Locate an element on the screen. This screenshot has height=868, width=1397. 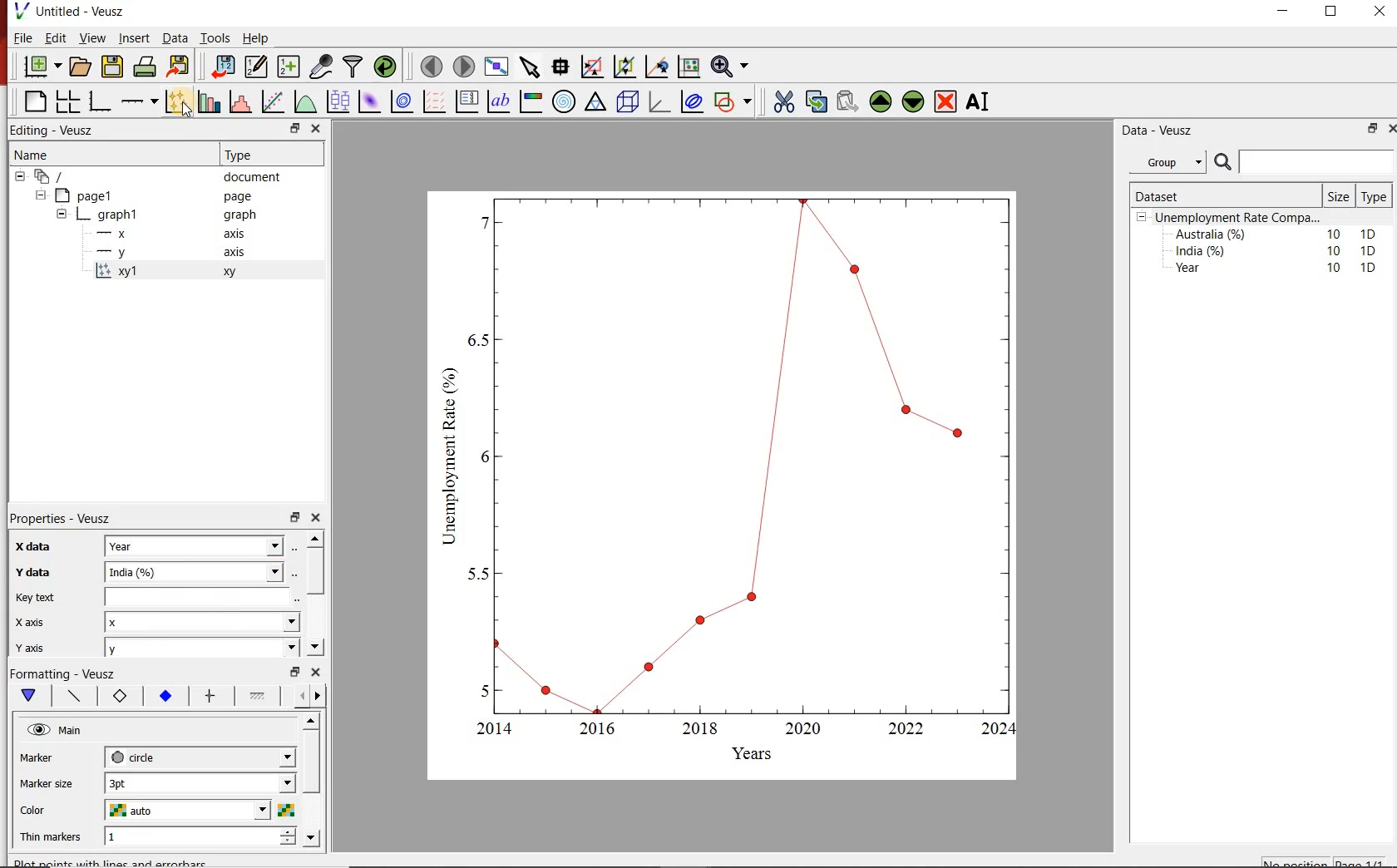
open document is located at coordinates (81, 67).